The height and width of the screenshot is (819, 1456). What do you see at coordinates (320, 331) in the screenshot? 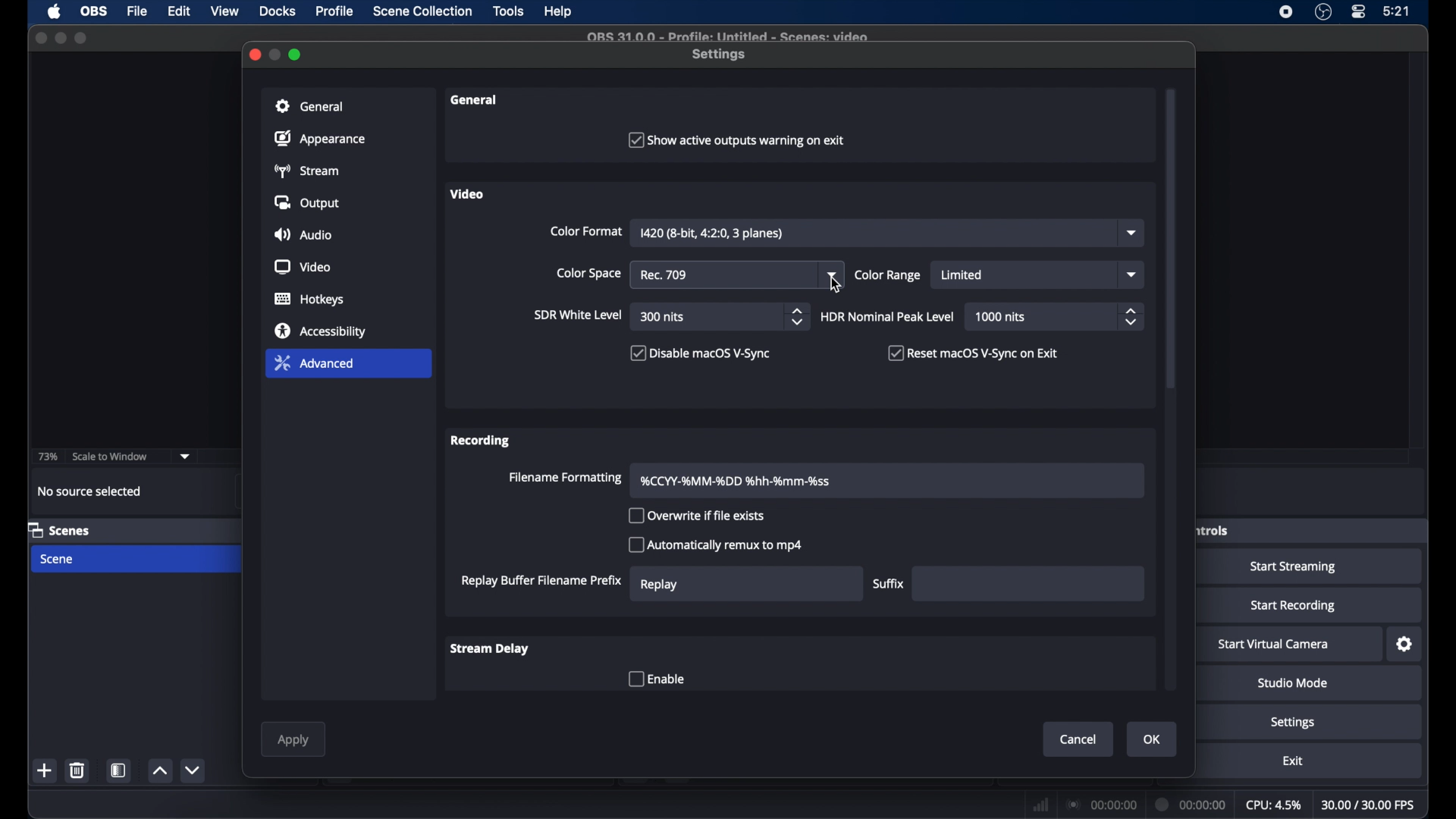
I see `accessibility` at bounding box center [320, 331].